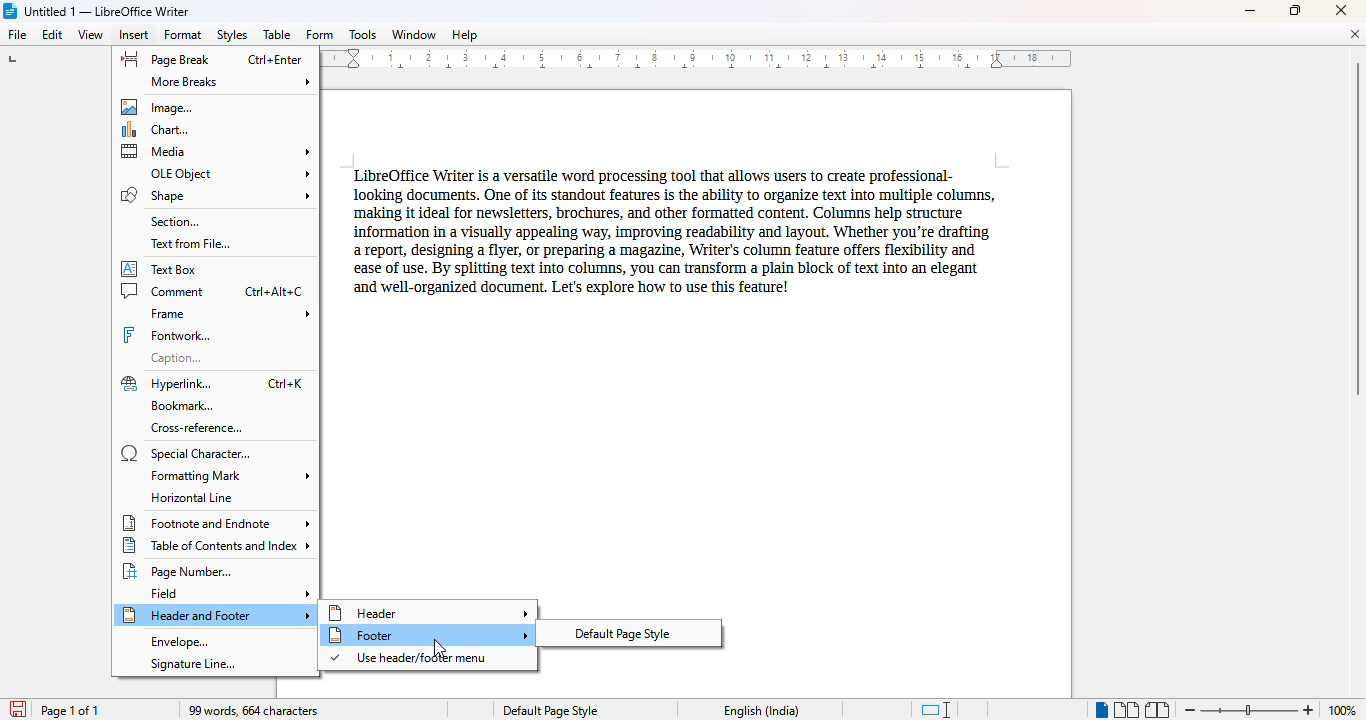 This screenshot has height=720, width=1366. Describe the element at coordinates (414, 34) in the screenshot. I see `window` at that location.